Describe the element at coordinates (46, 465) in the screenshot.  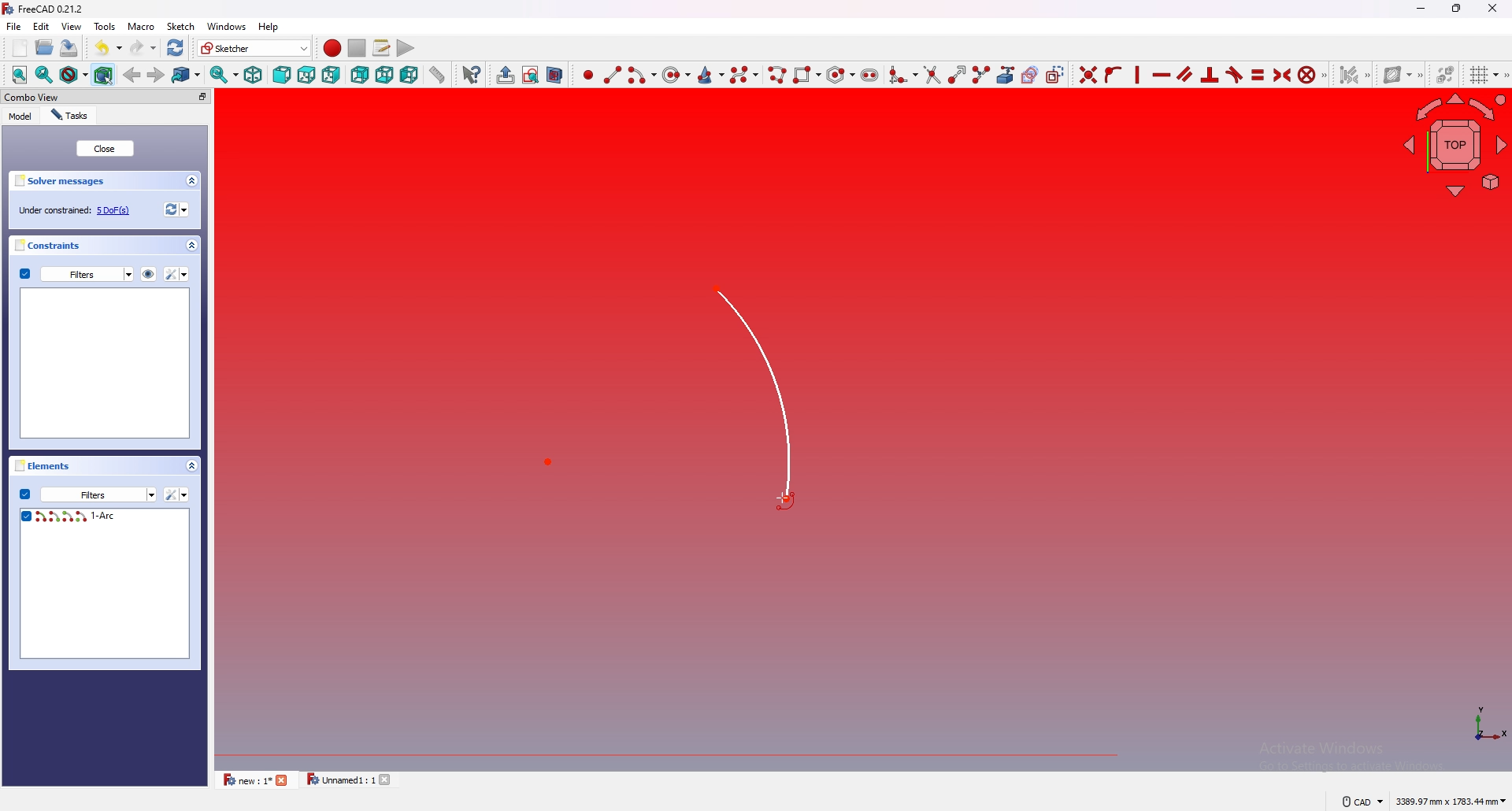
I see `elements` at that location.